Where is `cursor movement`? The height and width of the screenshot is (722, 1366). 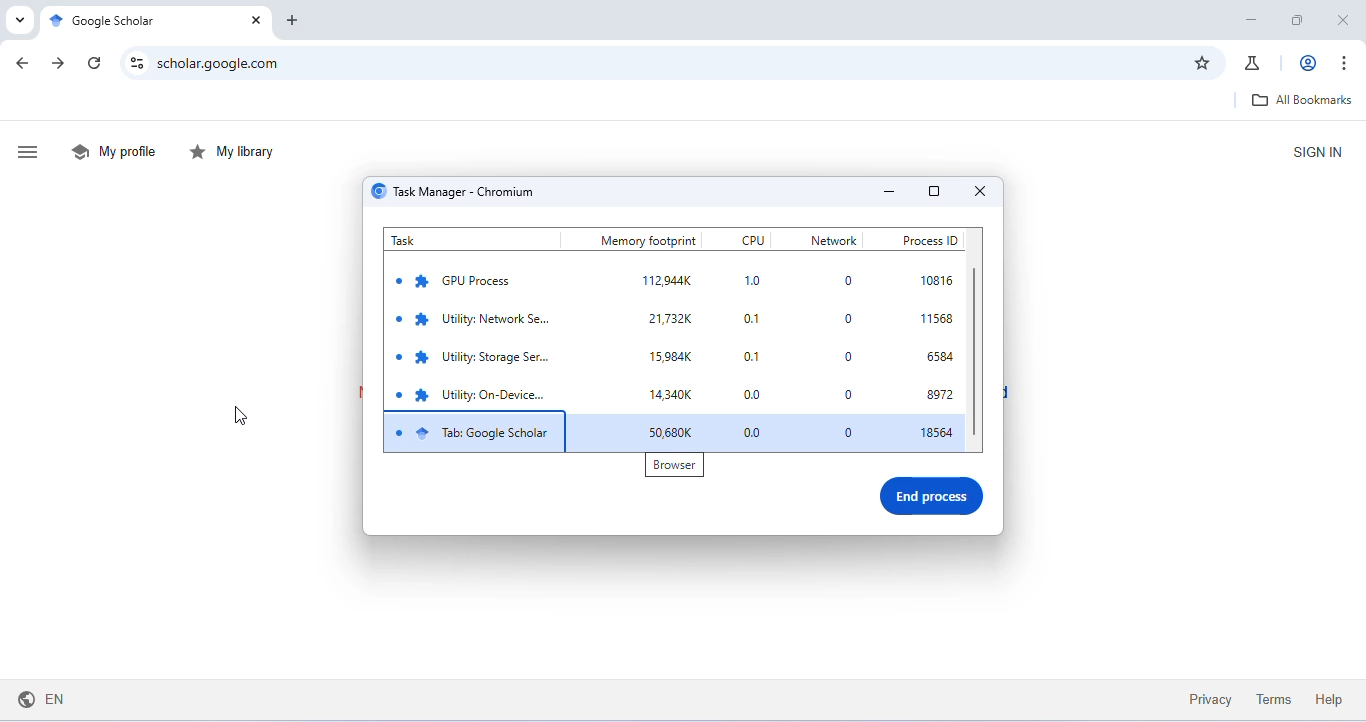
cursor movement is located at coordinates (237, 415).